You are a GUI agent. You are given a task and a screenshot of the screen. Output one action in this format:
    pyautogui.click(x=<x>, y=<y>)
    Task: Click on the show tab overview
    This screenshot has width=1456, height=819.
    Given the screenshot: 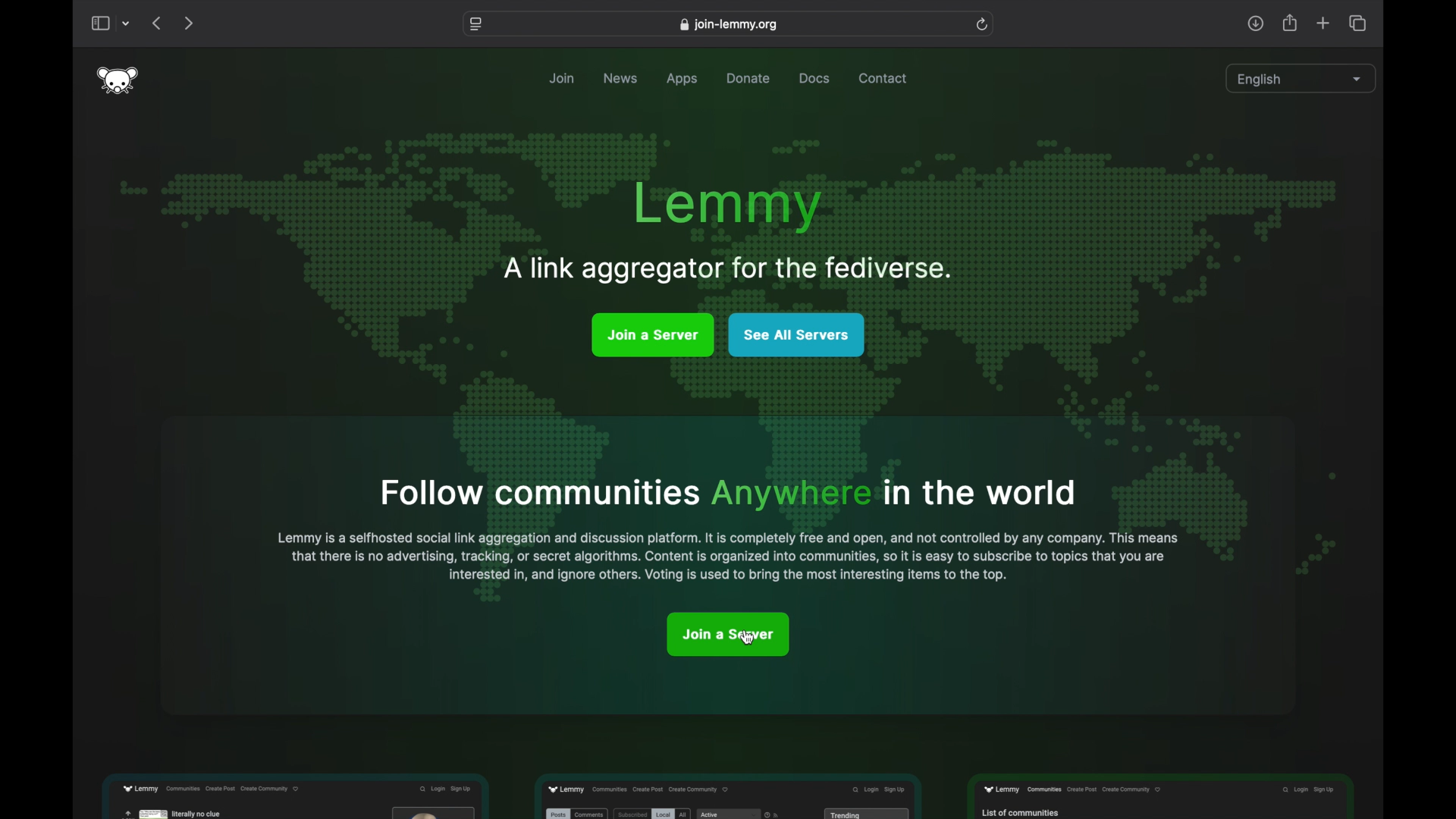 What is the action you would take?
    pyautogui.click(x=1357, y=24)
    